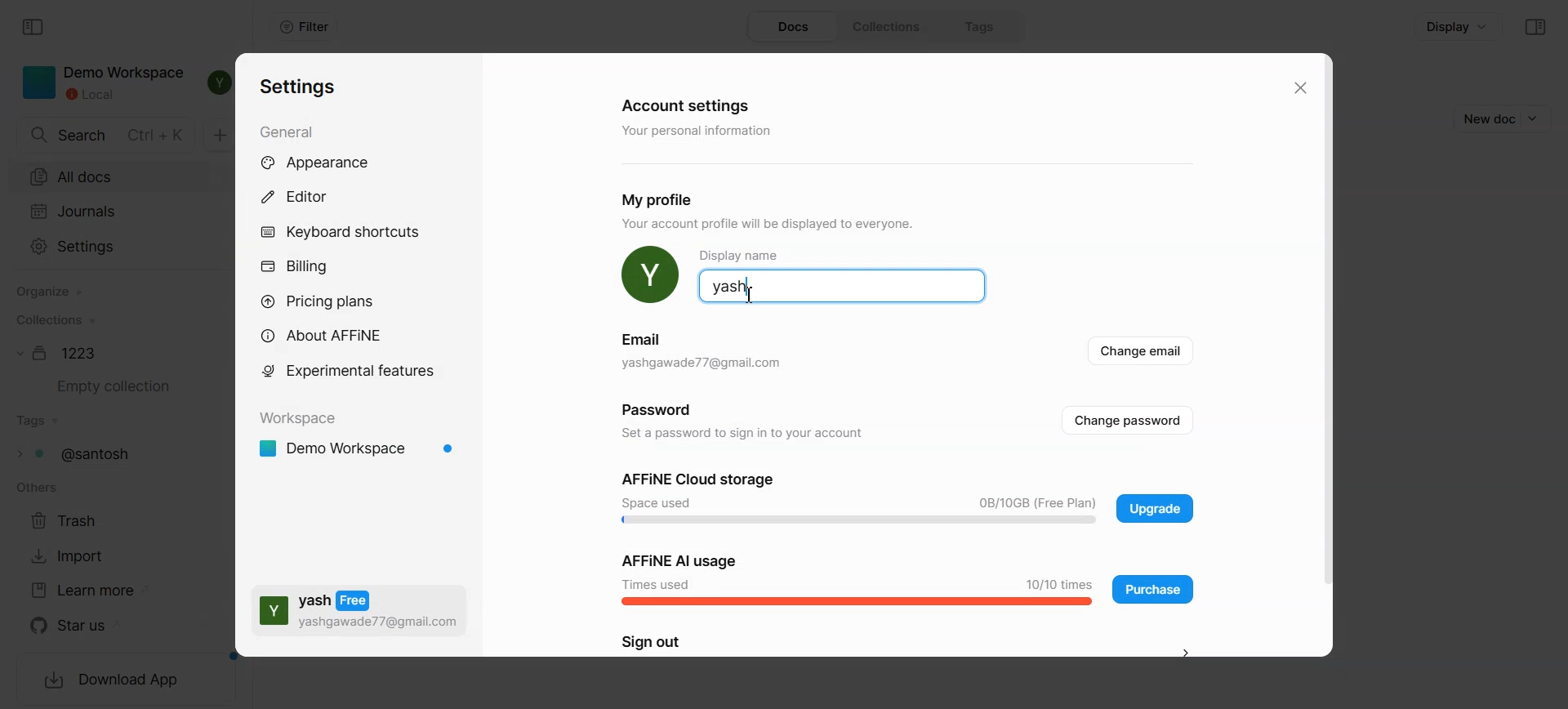  I want to click on Keyboard shortcuts, so click(341, 231).